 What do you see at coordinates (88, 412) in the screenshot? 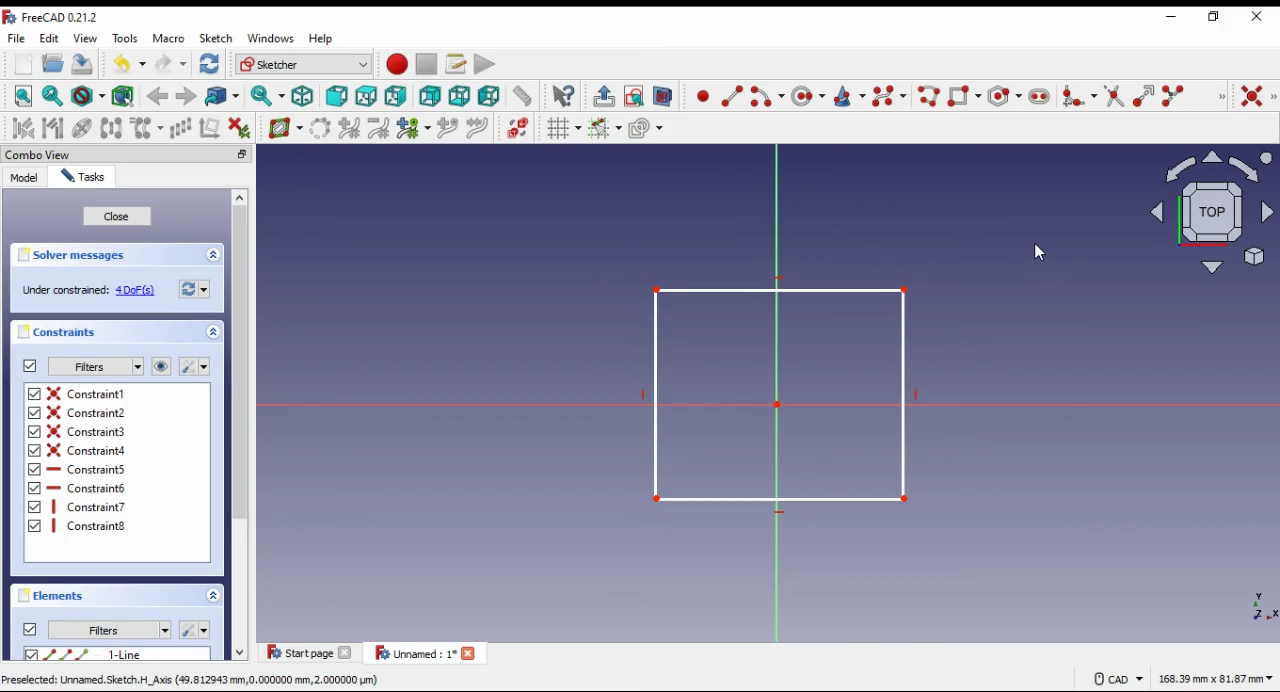
I see `on/off constraint 2` at bounding box center [88, 412].